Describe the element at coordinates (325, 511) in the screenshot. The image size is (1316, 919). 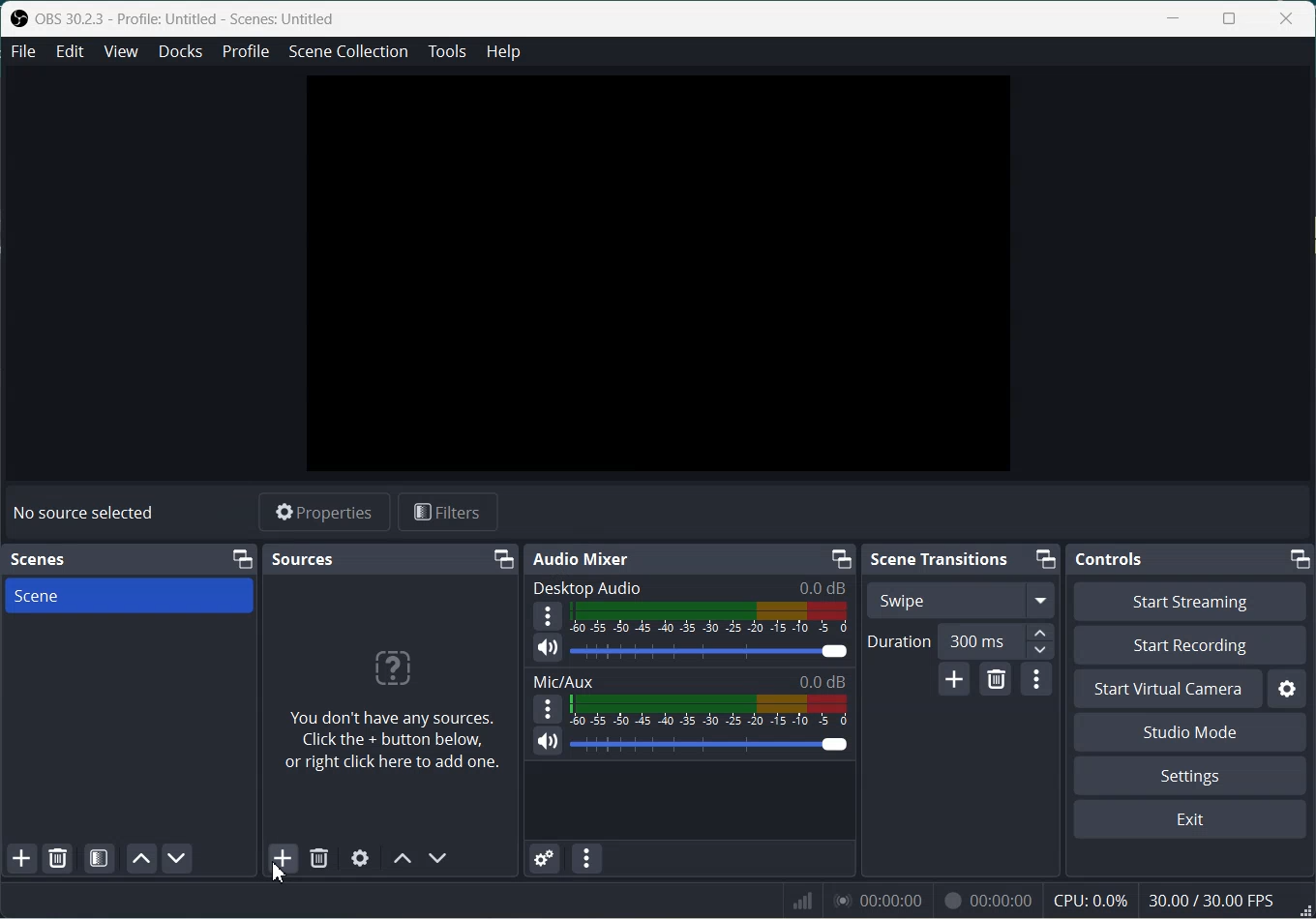
I see `Properties` at that location.